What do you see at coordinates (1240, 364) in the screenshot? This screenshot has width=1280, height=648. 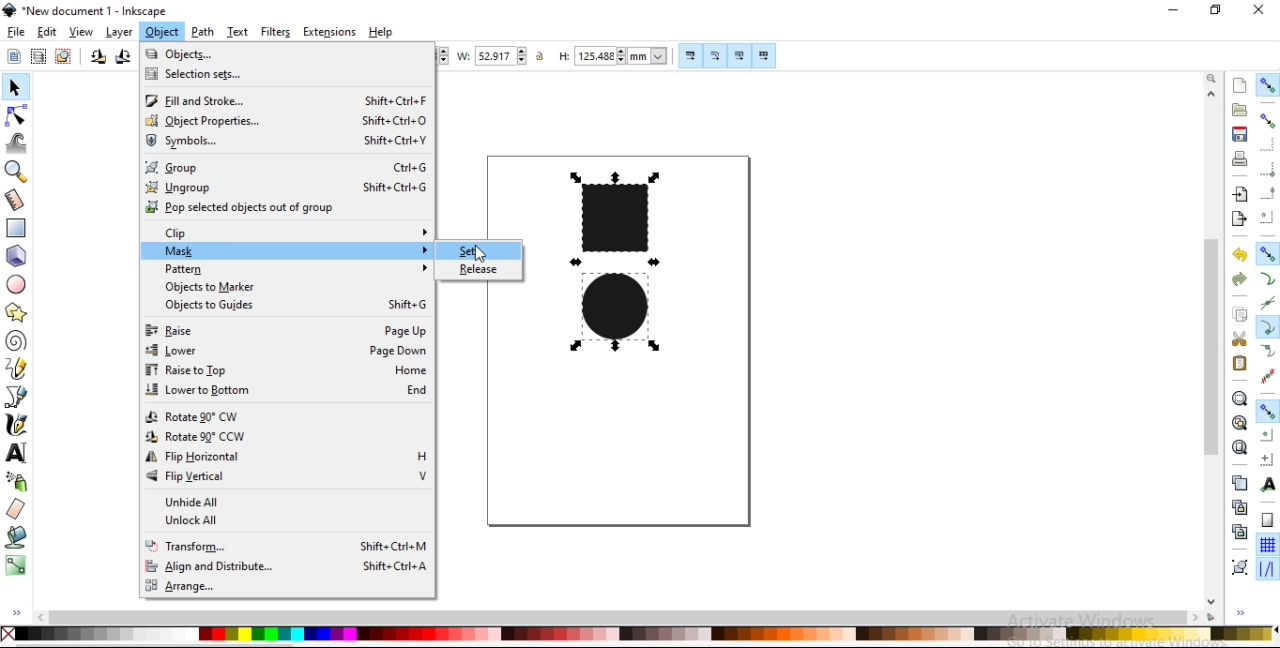 I see `paste` at bounding box center [1240, 364].